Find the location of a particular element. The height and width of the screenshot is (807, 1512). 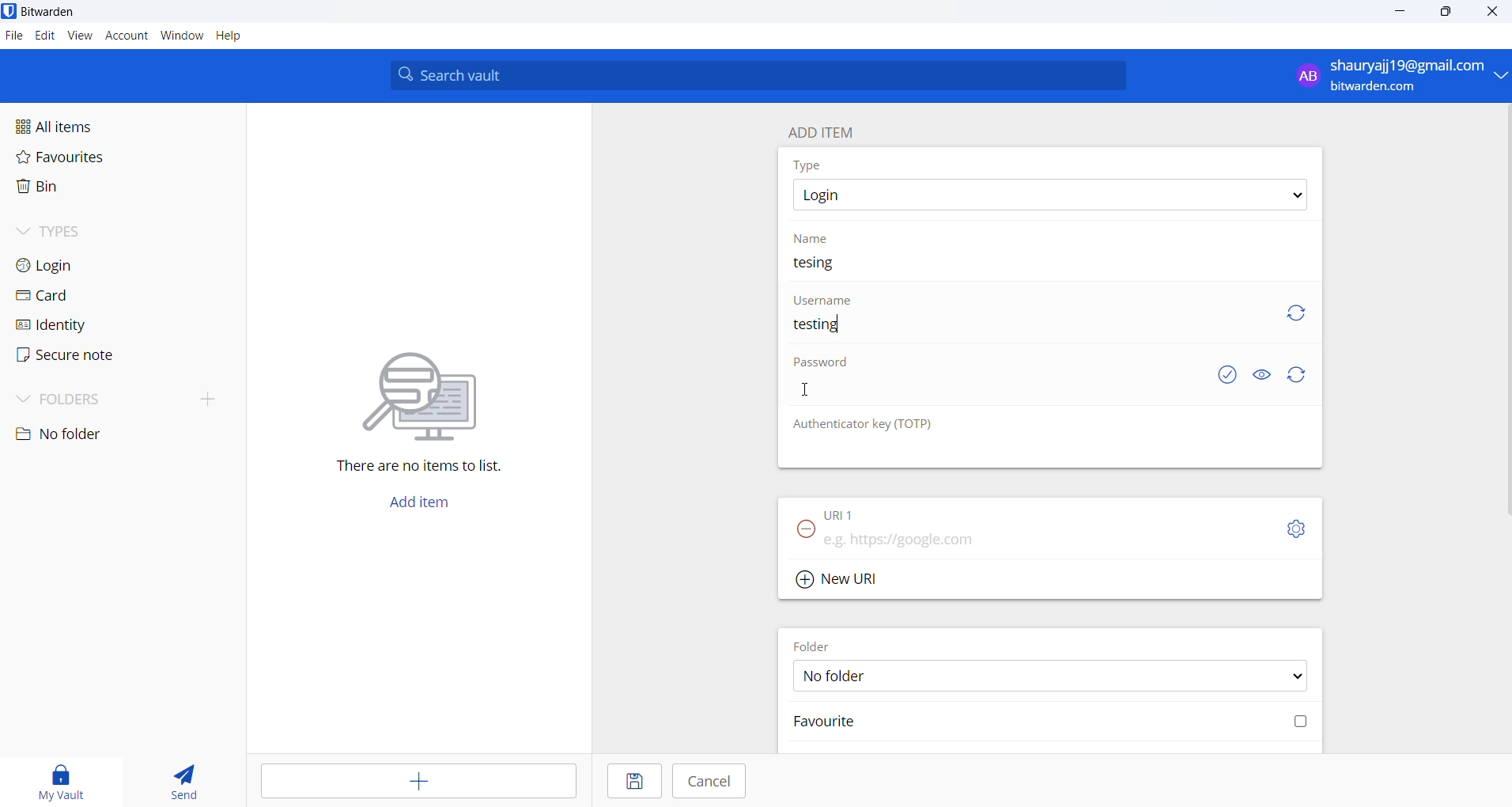

otp heading is located at coordinates (879, 426).